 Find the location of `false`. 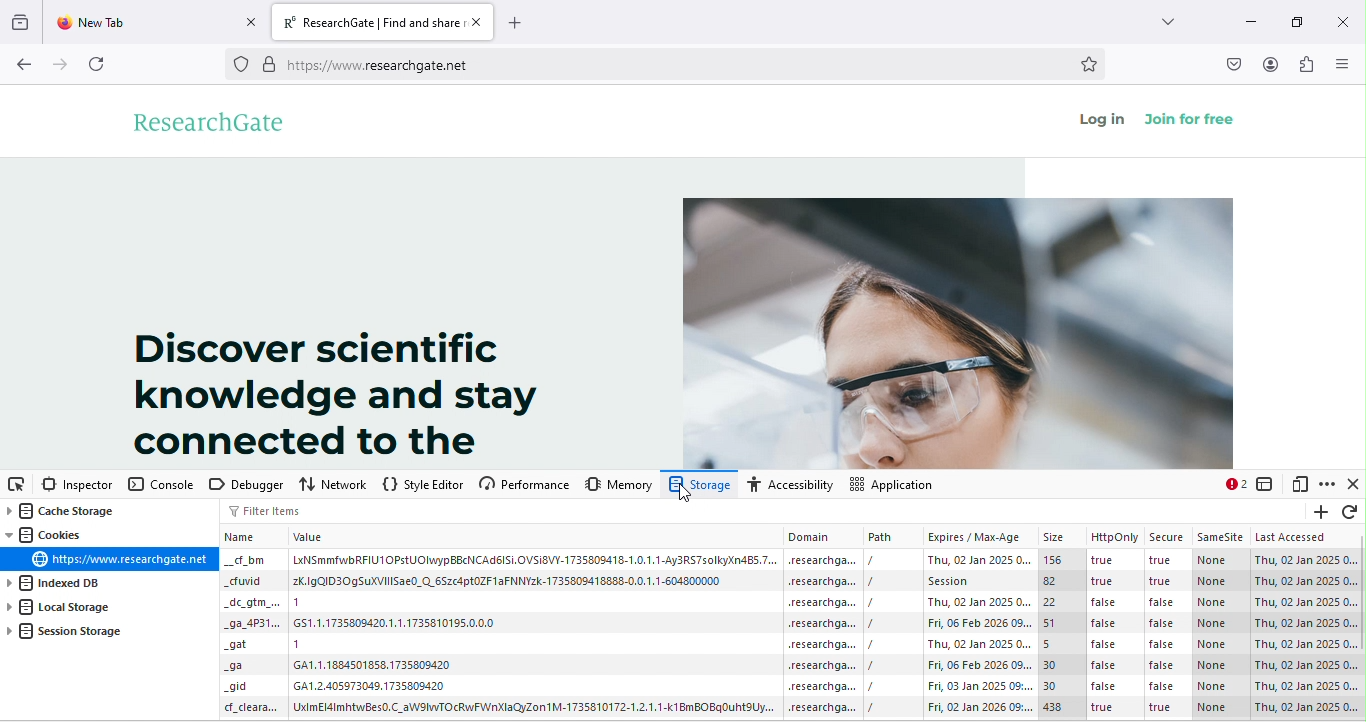

false is located at coordinates (1167, 603).